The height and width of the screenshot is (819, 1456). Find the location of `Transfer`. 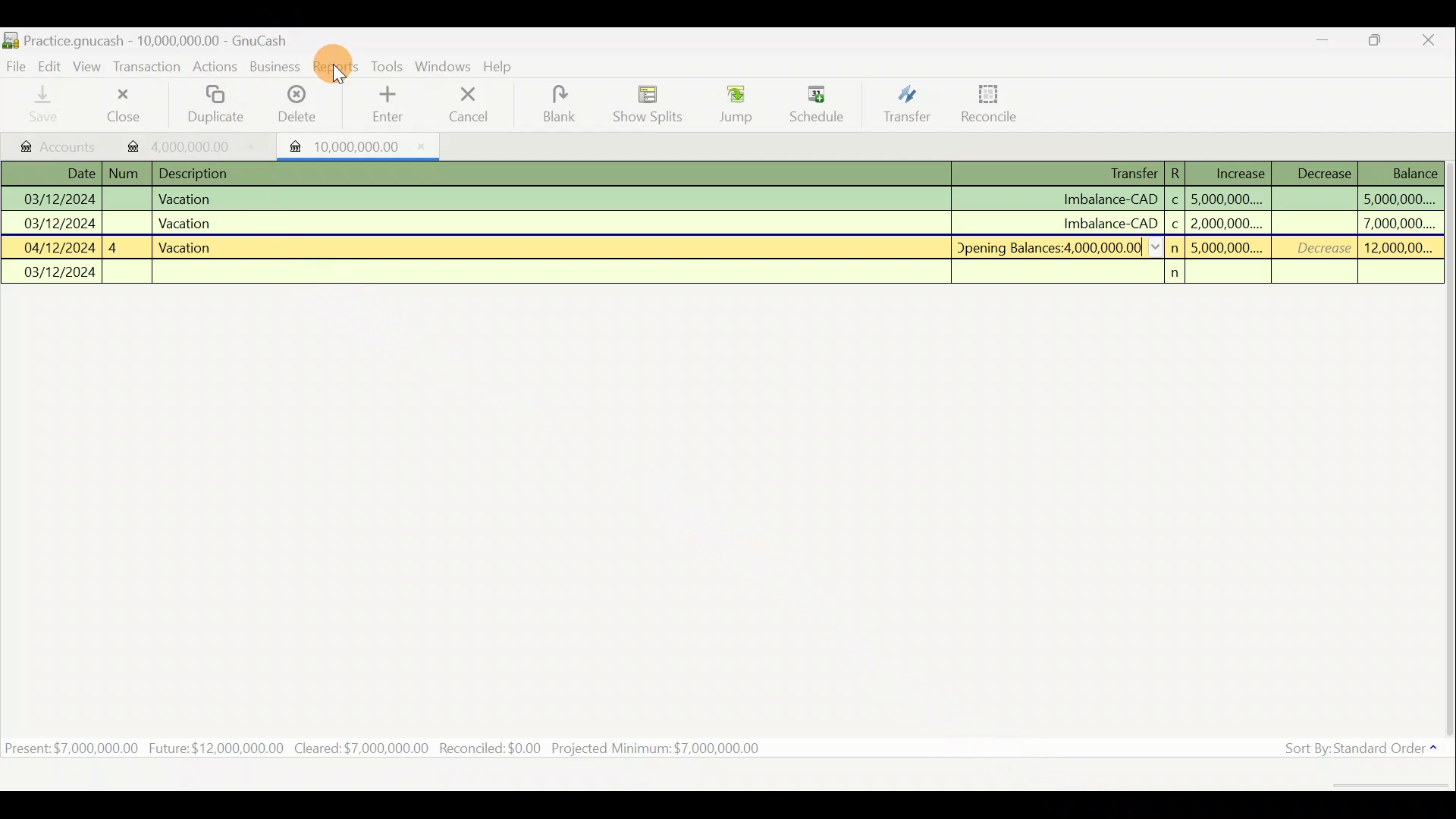

Transfer is located at coordinates (1134, 173).